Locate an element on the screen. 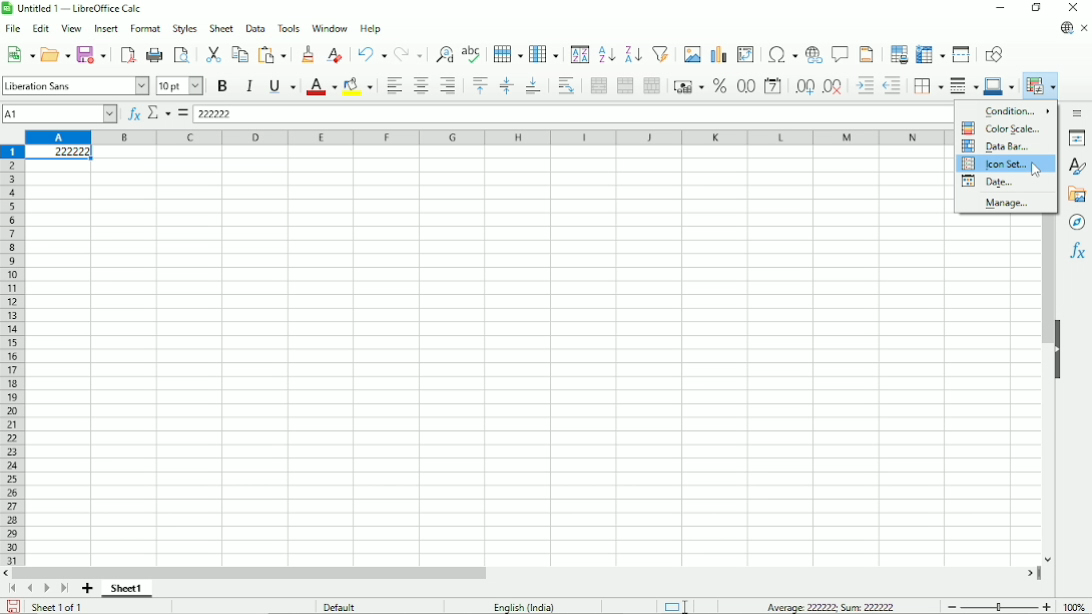  Horizontal scrollbar is located at coordinates (254, 572).